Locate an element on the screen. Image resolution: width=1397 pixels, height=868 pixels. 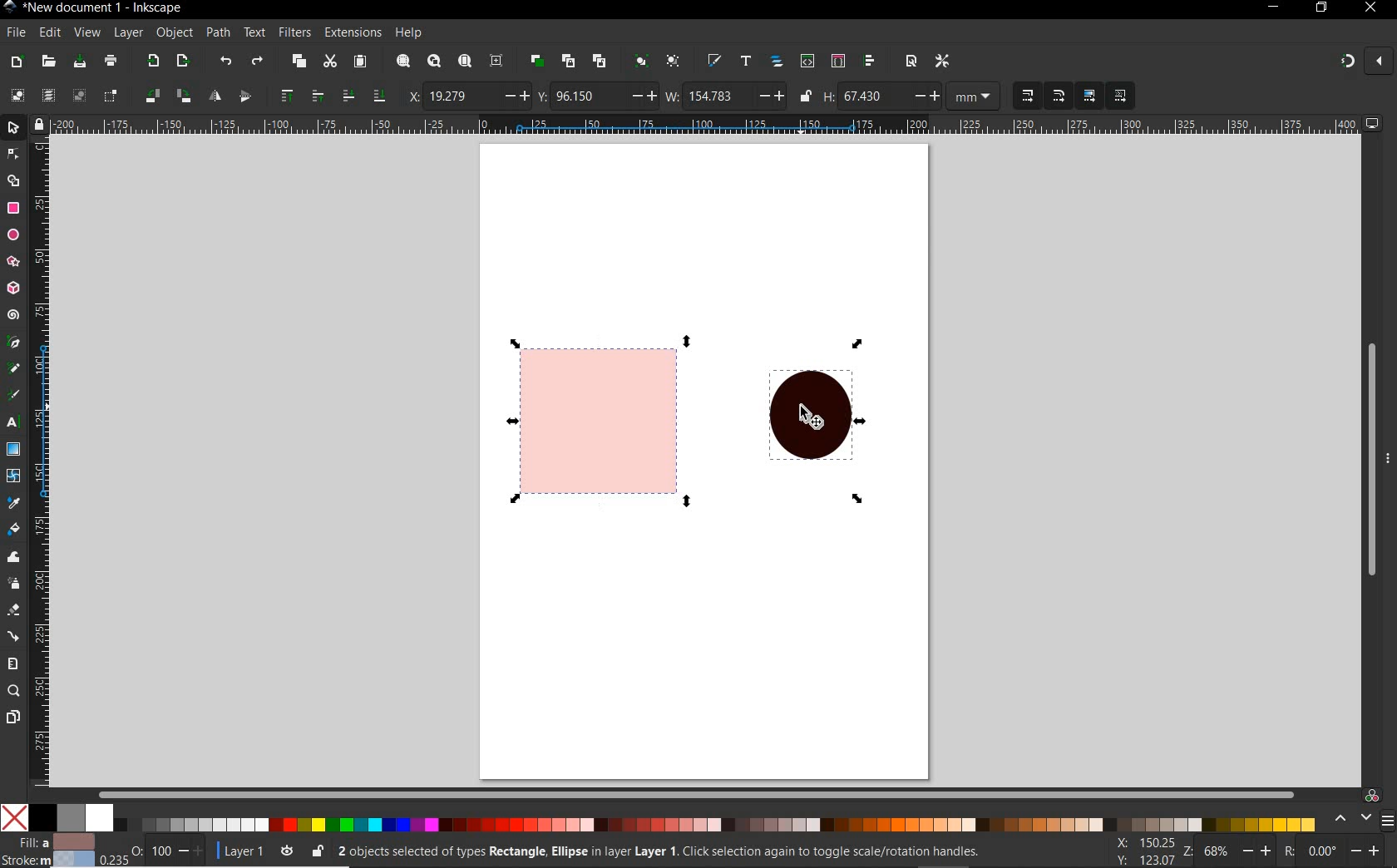
undo is located at coordinates (227, 63).